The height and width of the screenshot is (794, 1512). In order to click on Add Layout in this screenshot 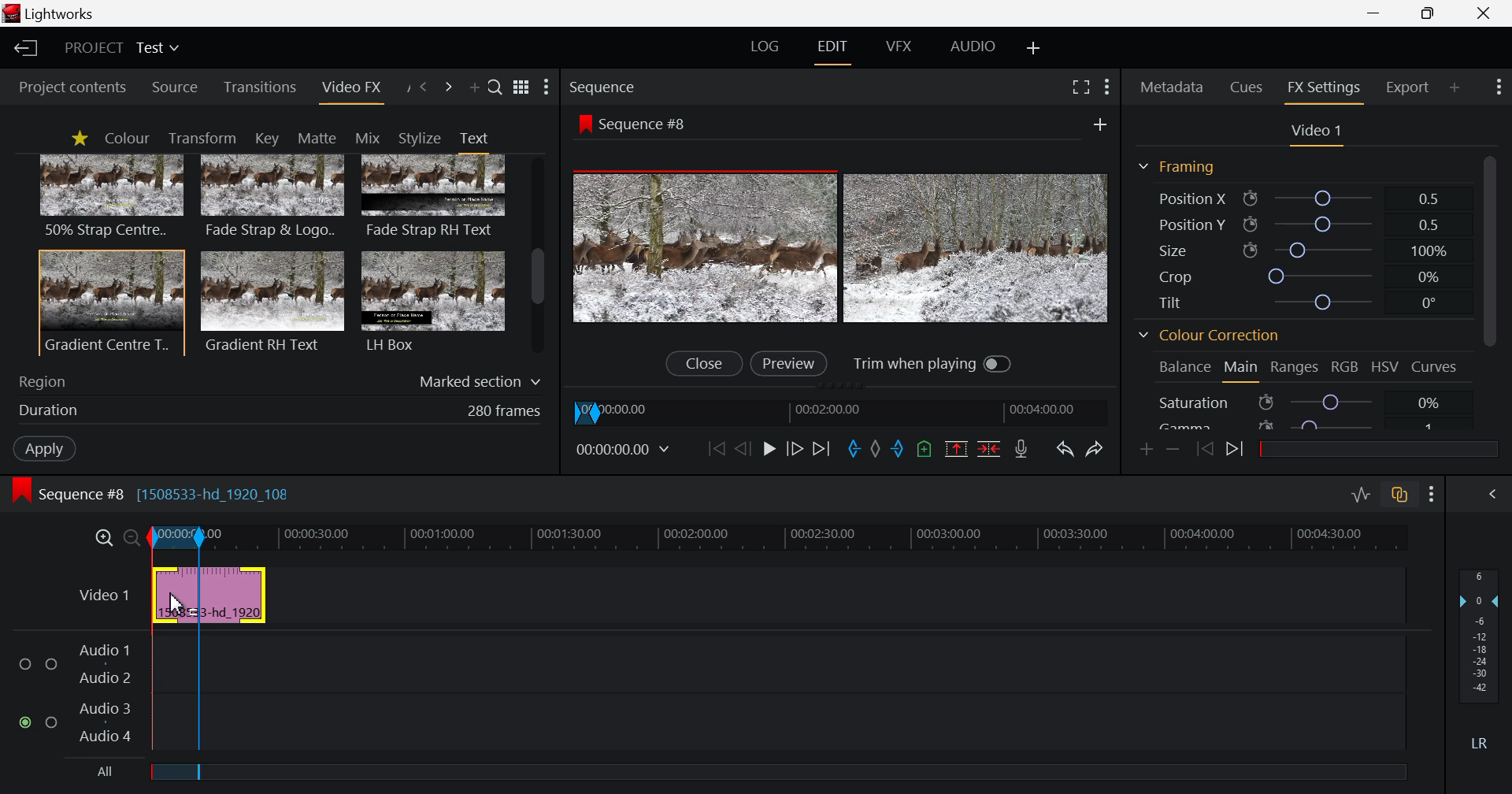, I will do `click(1035, 47)`.